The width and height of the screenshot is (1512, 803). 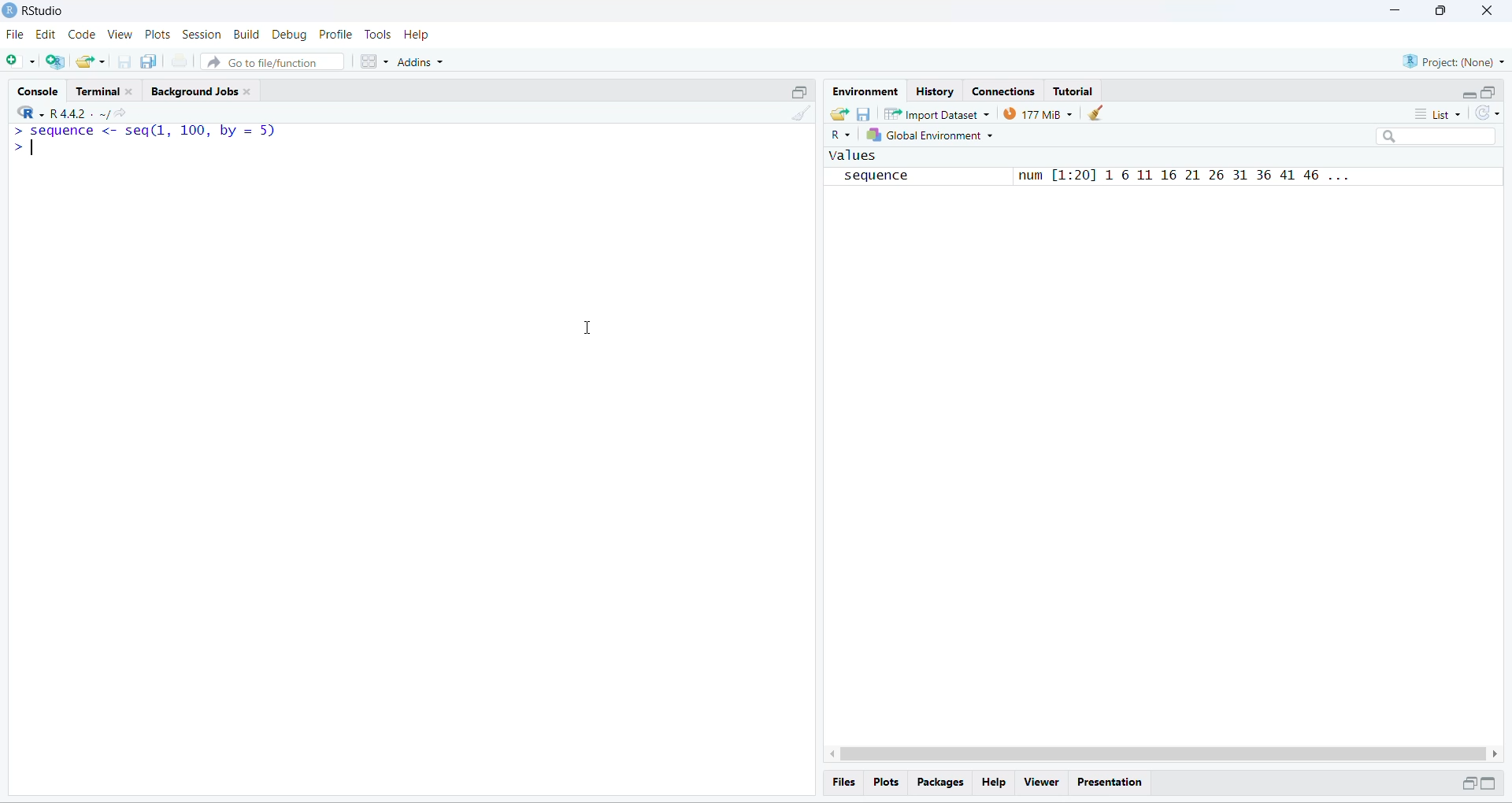 What do you see at coordinates (335, 34) in the screenshot?
I see `Profile` at bounding box center [335, 34].